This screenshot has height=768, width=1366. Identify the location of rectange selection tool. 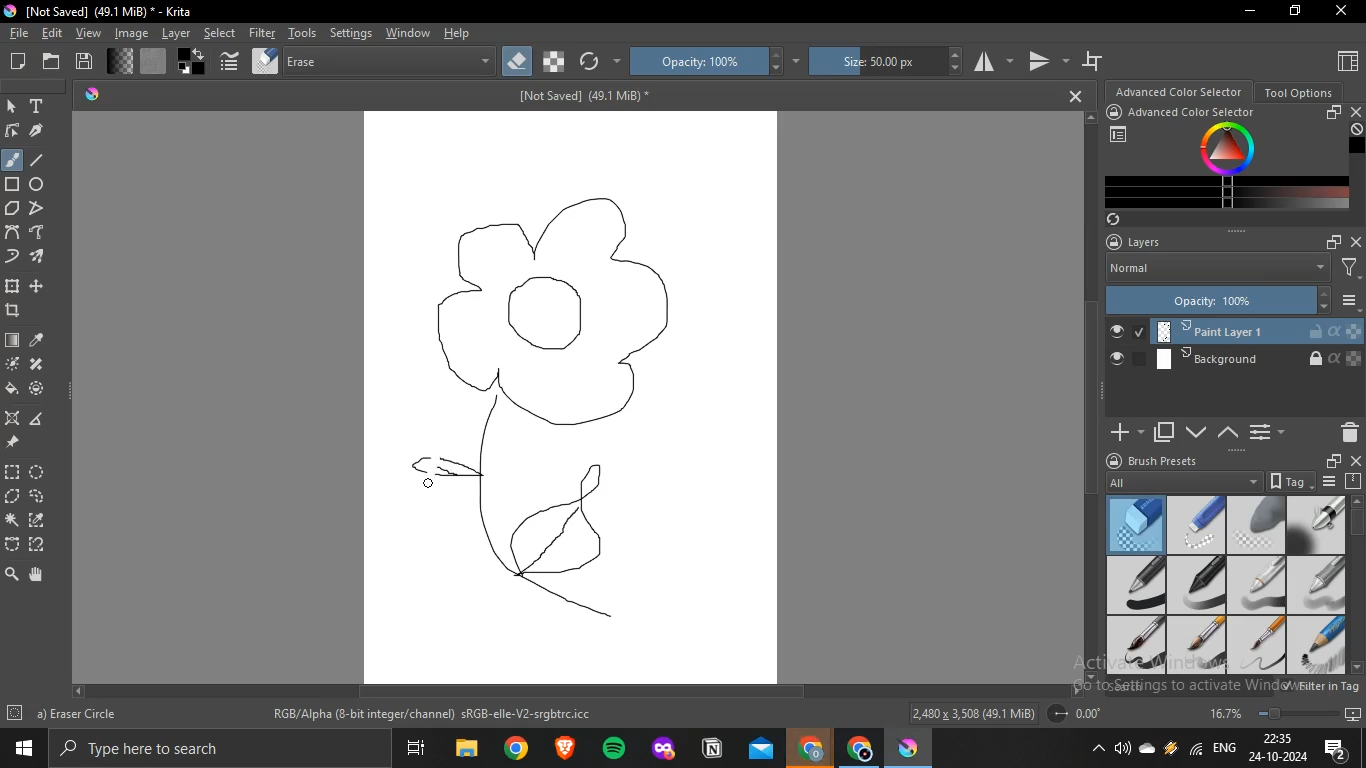
(12, 471).